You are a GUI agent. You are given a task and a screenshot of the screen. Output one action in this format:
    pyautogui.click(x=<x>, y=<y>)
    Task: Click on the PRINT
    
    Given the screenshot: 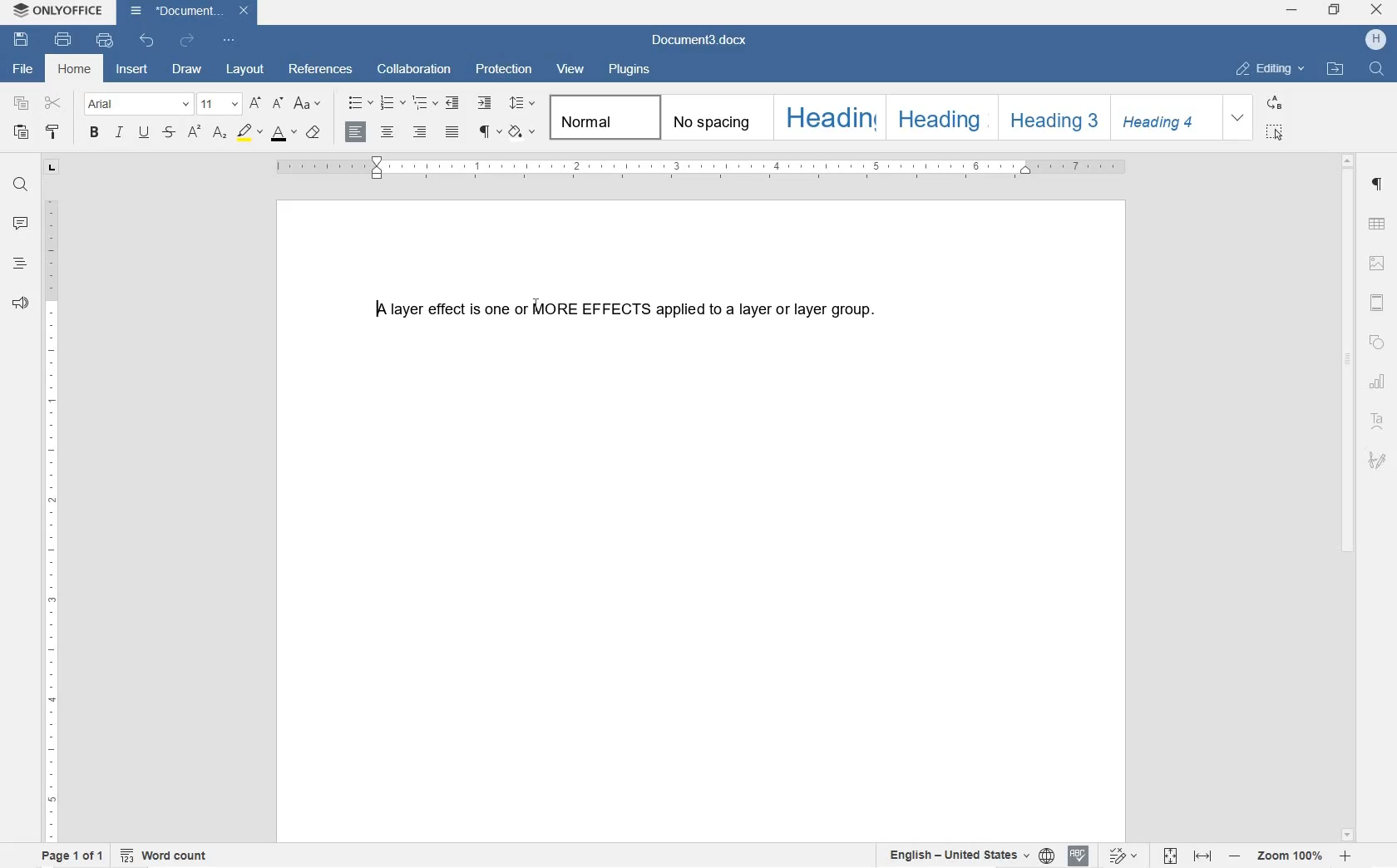 What is the action you would take?
    pyautogui.click(x=62, y=40)
    